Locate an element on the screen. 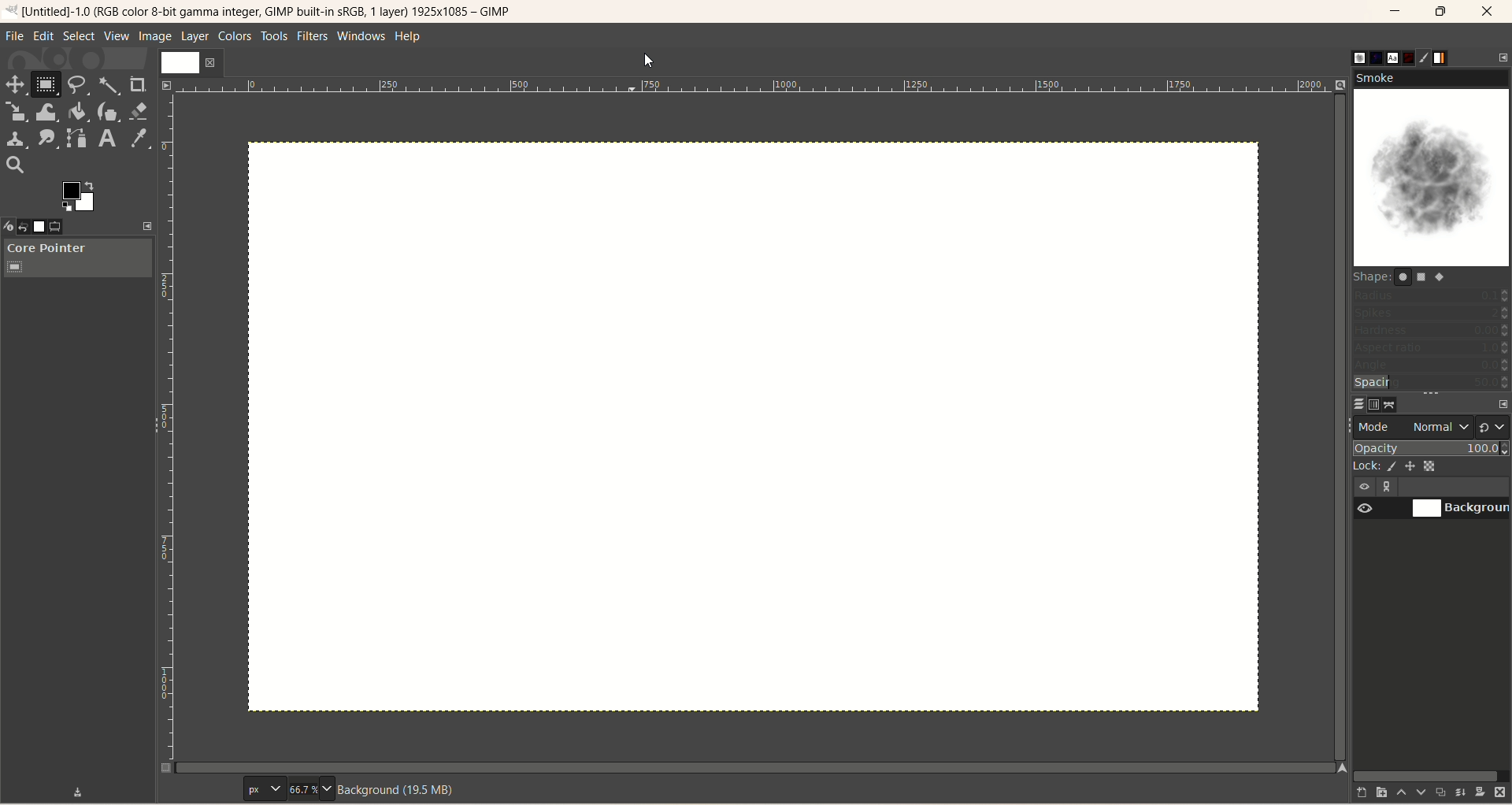 Image resolution: width=1512 pixels, height=805 pixels. lock pixels is located at coordinates (1389, 466).